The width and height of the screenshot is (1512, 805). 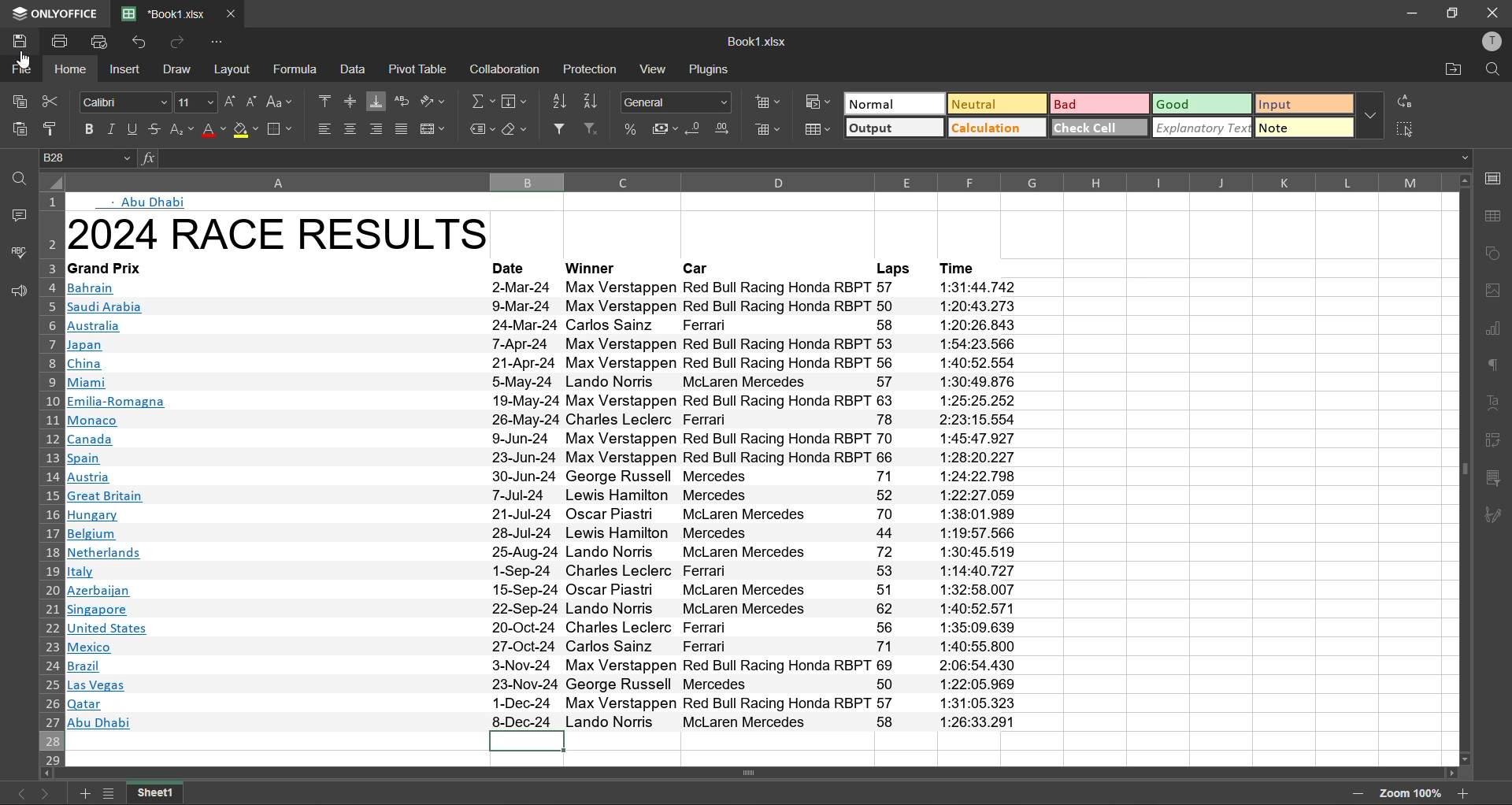 I want to click on bad, so click(x=1099, y=103).